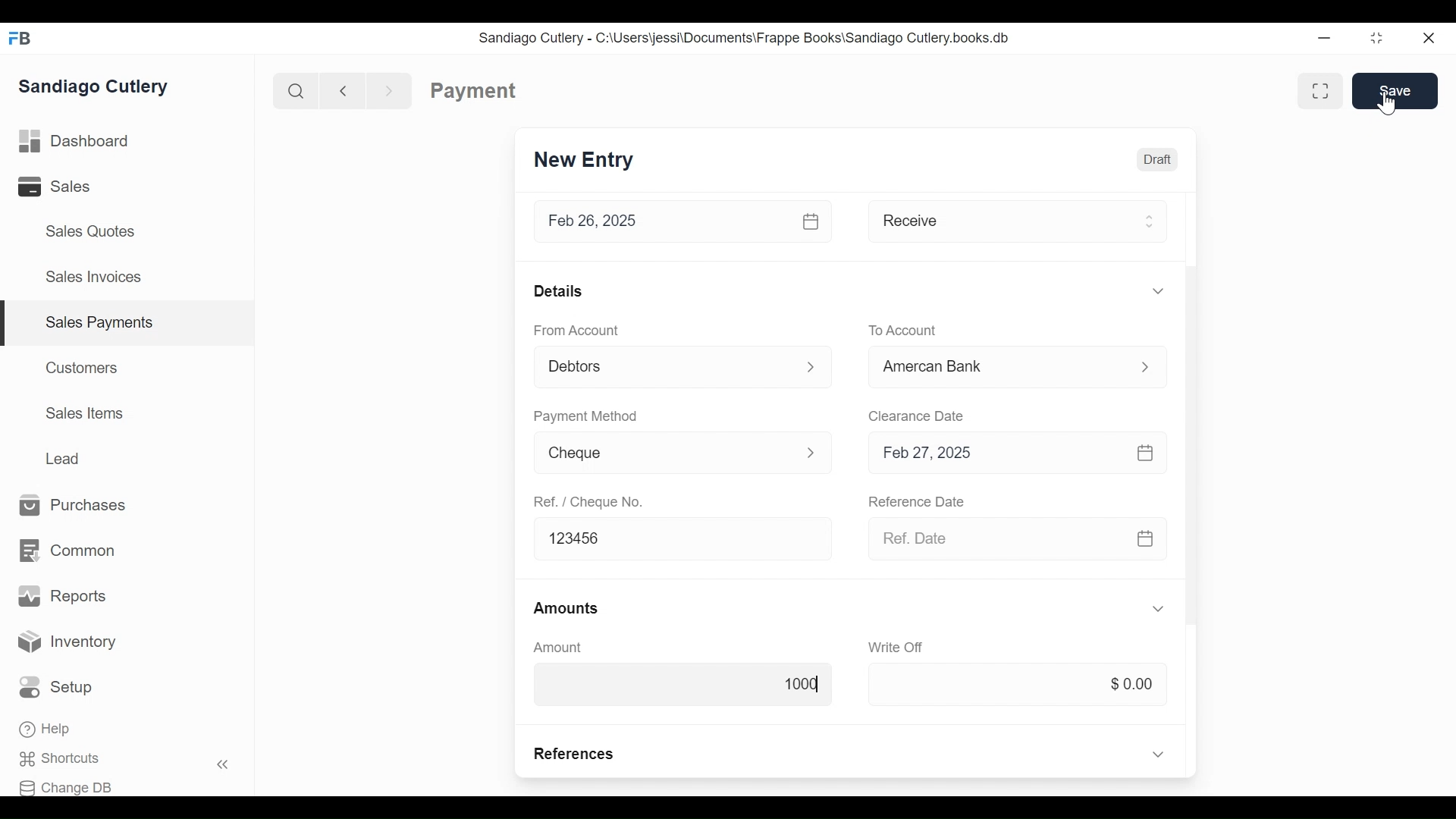 Image resolution: width=1456 pixels, height=819 pixels. I want to click on Lead, so click(65, 457).